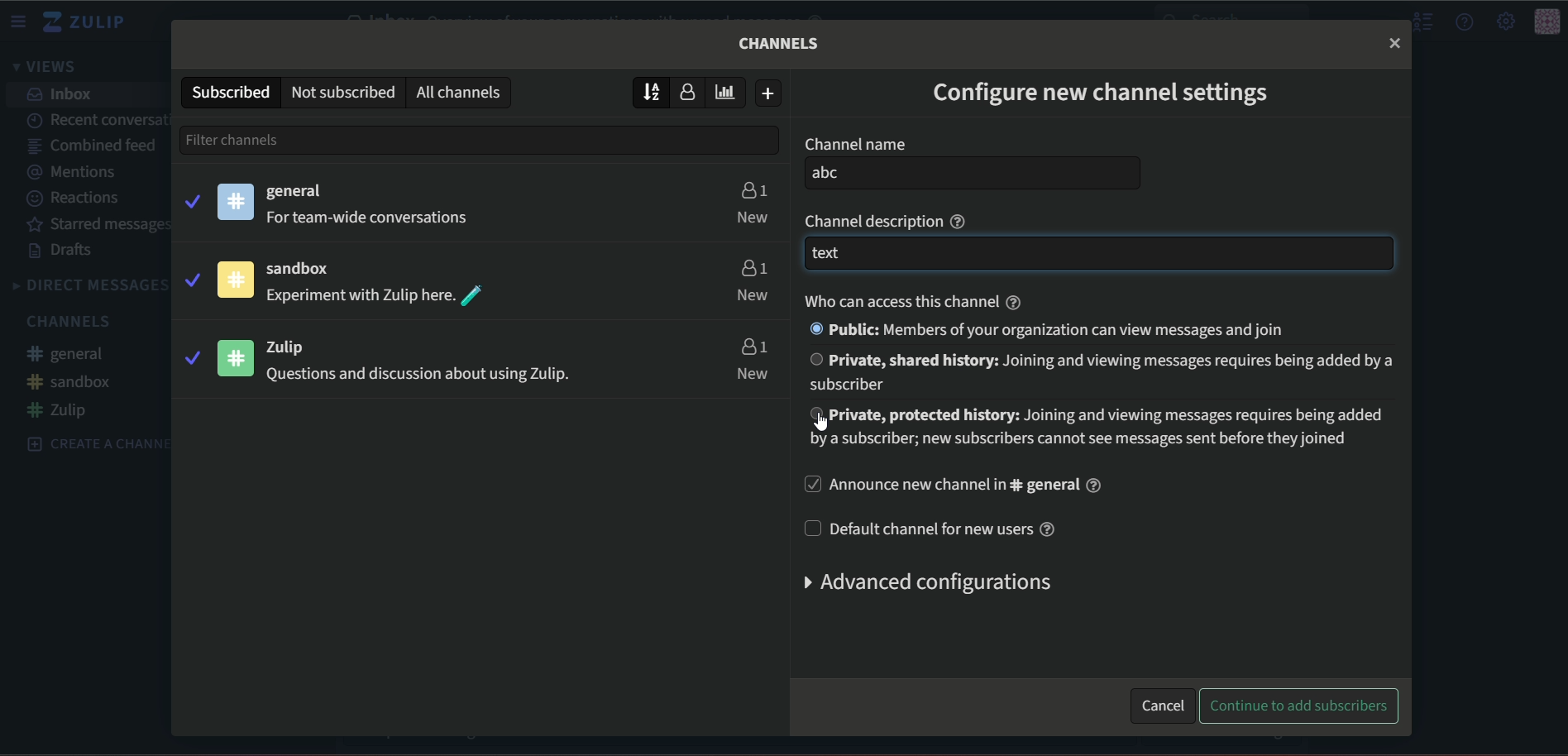 The image size is (1568, 756). What do you see at coordinates (190, 278) in the screenshot?
I see `tick` at bounding box center [190, 278].